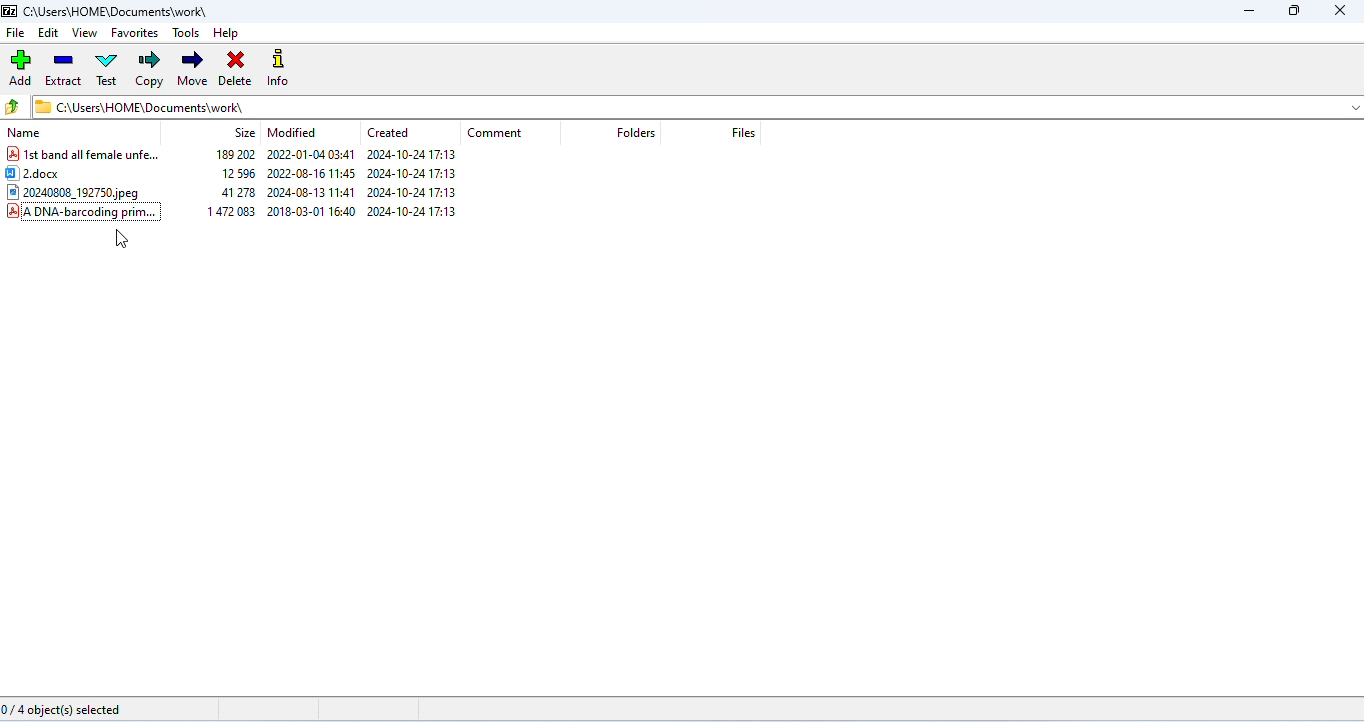 Image resolution: width=1364 pixels, height=722 pixels. Describe the element at coordinates (15, 32) in the screenshot. I see `file` at that location.